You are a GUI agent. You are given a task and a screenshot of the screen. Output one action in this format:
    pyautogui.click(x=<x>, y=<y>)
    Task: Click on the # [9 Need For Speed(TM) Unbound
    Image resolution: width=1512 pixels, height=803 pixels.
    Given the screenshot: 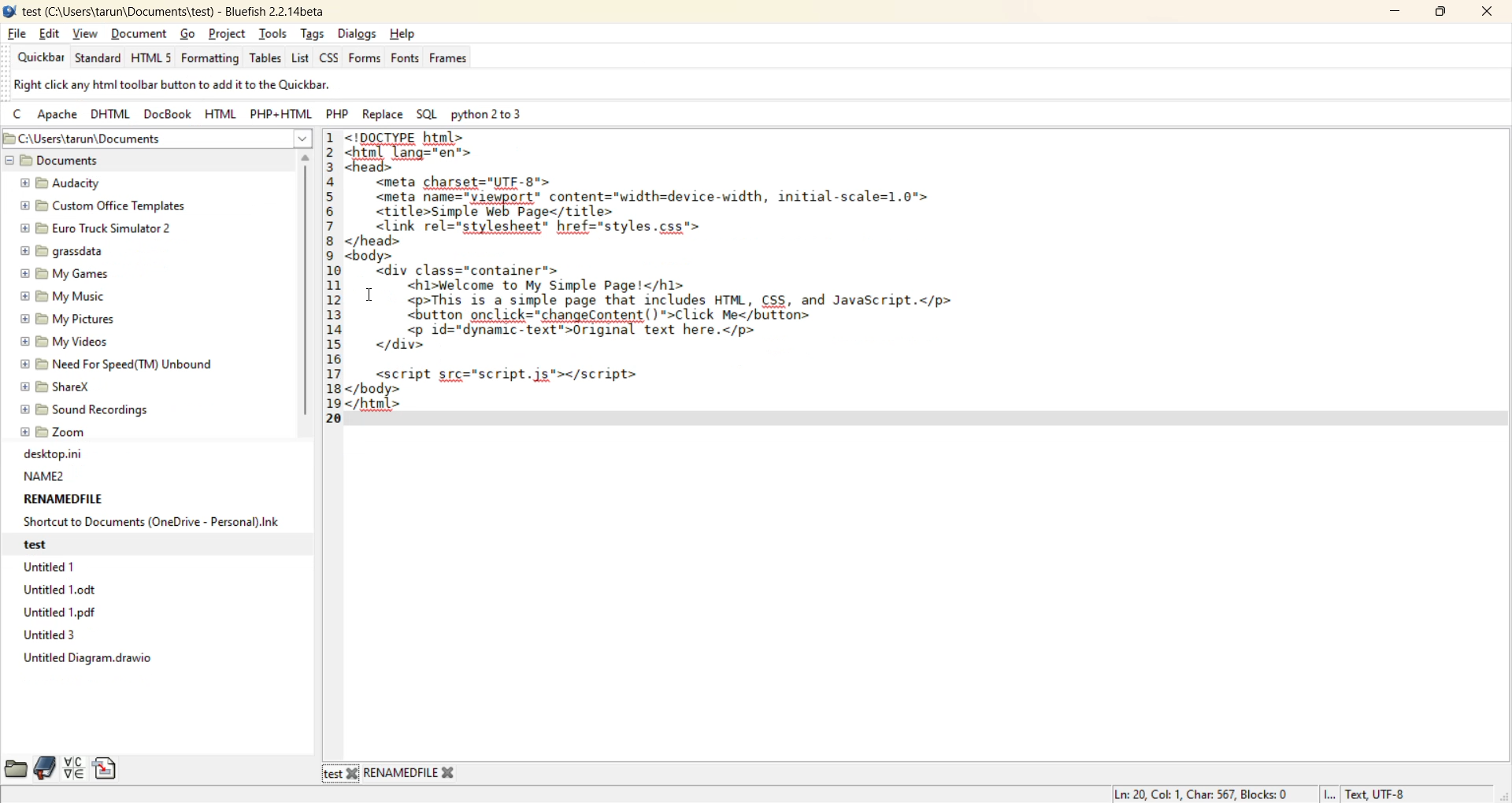 What is the action you would take?
    pyautogui.click(x=124, y=364)
    